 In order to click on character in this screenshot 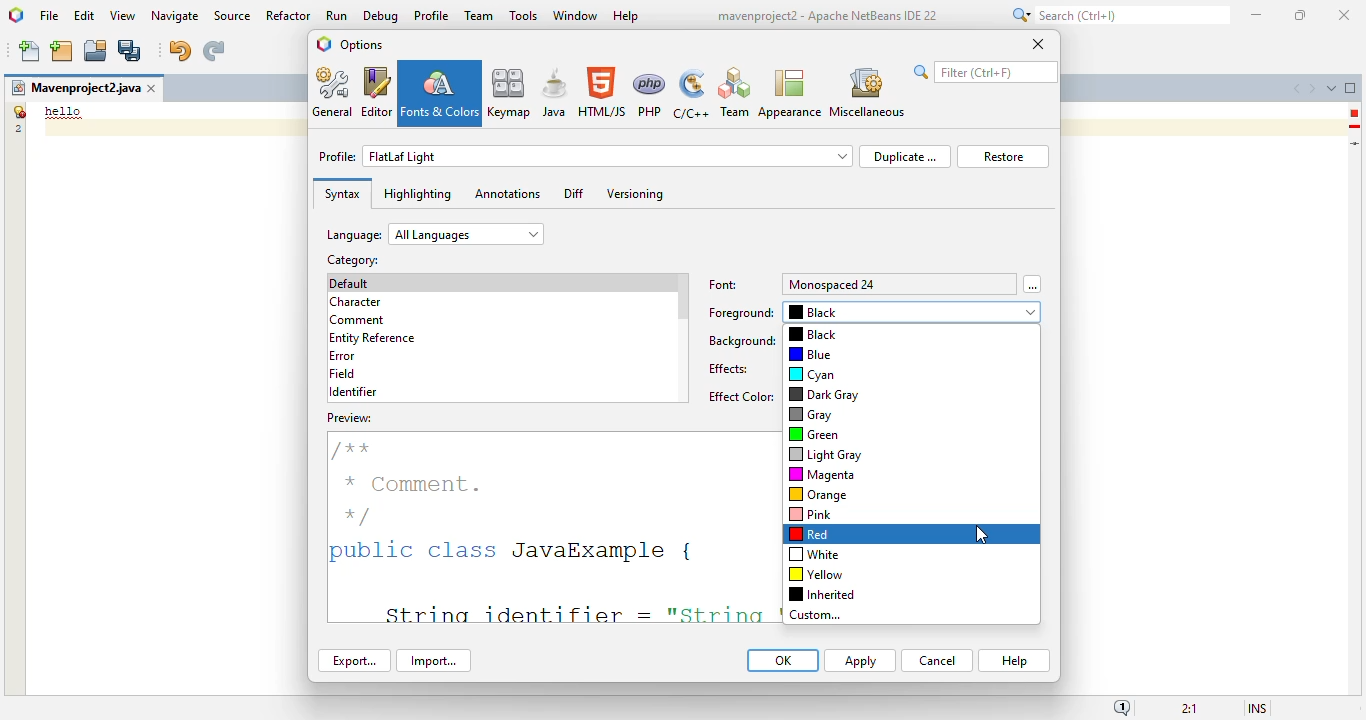, I will do `click(355, 302)`.